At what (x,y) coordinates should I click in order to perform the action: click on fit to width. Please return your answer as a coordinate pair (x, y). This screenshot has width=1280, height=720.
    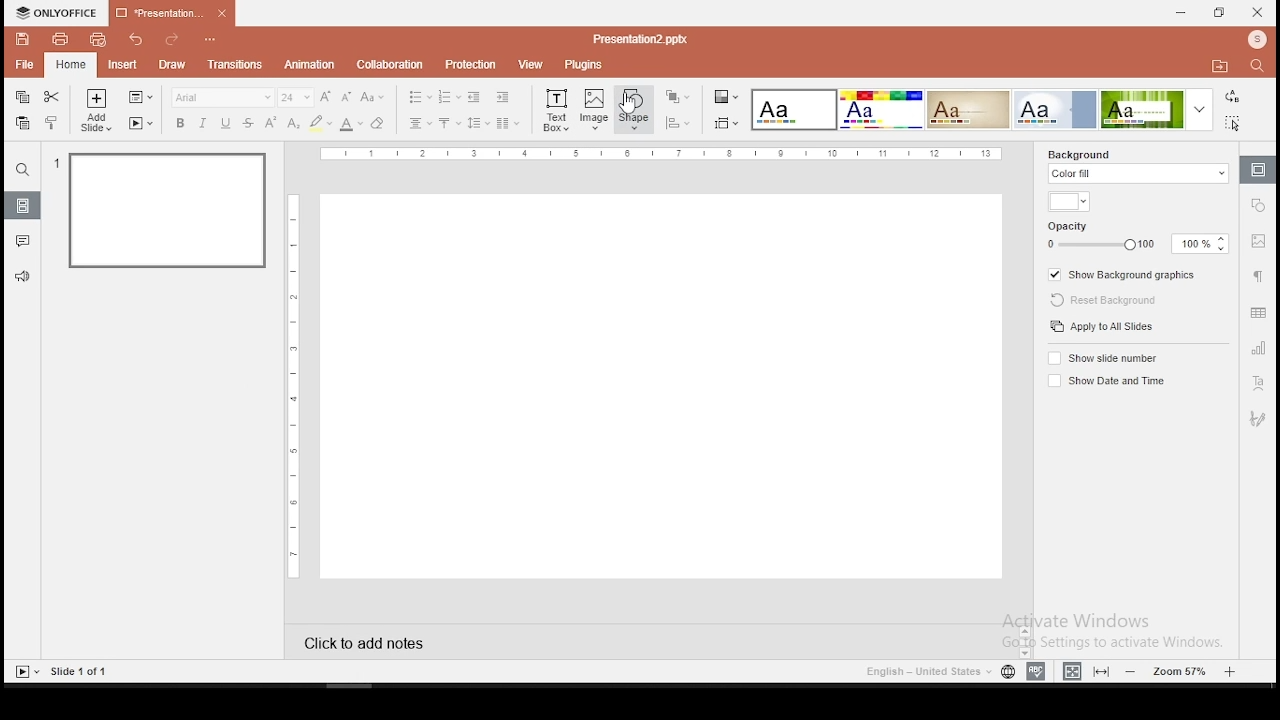
    Looking at the image, I should click on (1072, 670).